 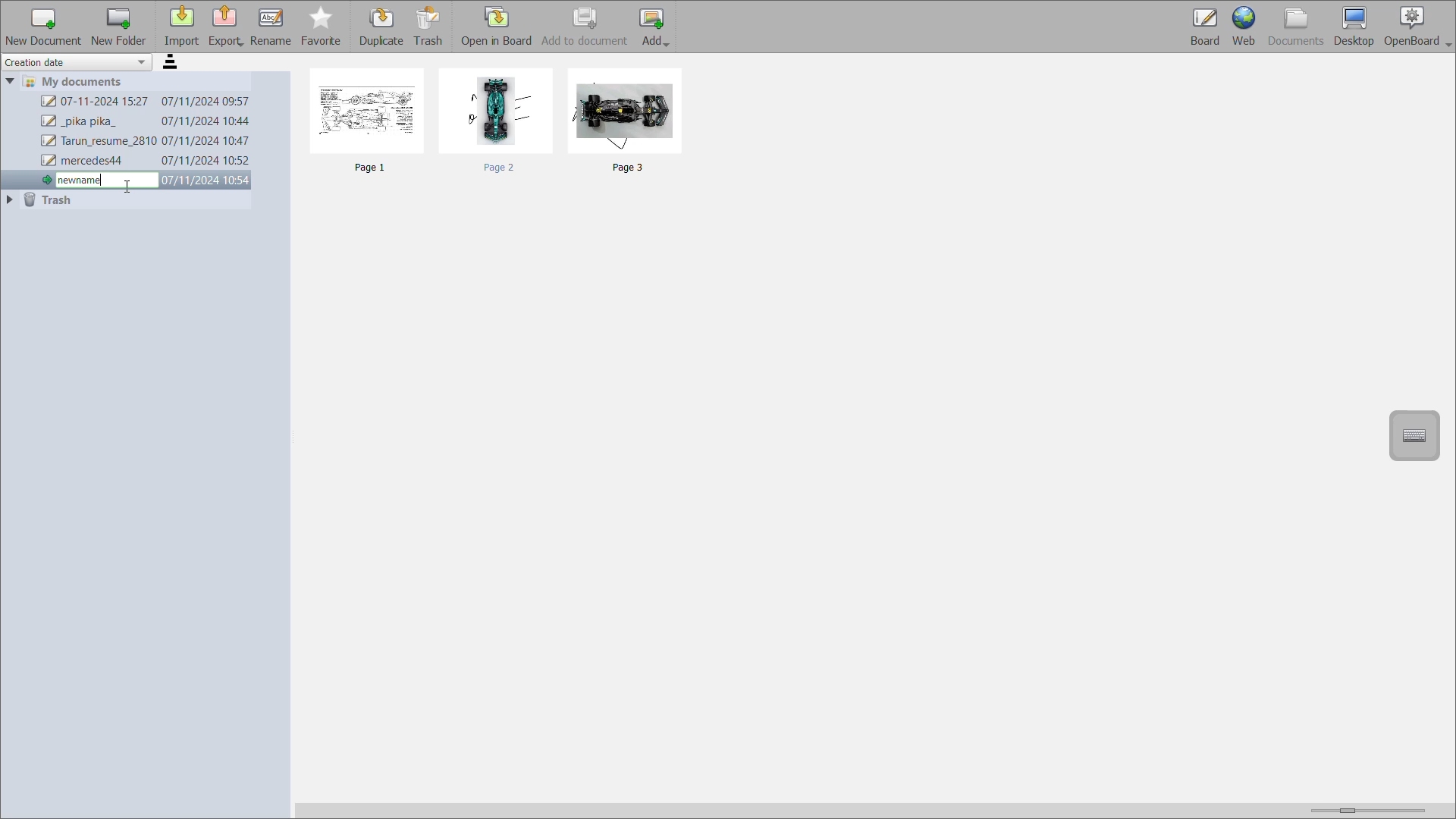 I want to click on board, so click(x=1202, y=27).